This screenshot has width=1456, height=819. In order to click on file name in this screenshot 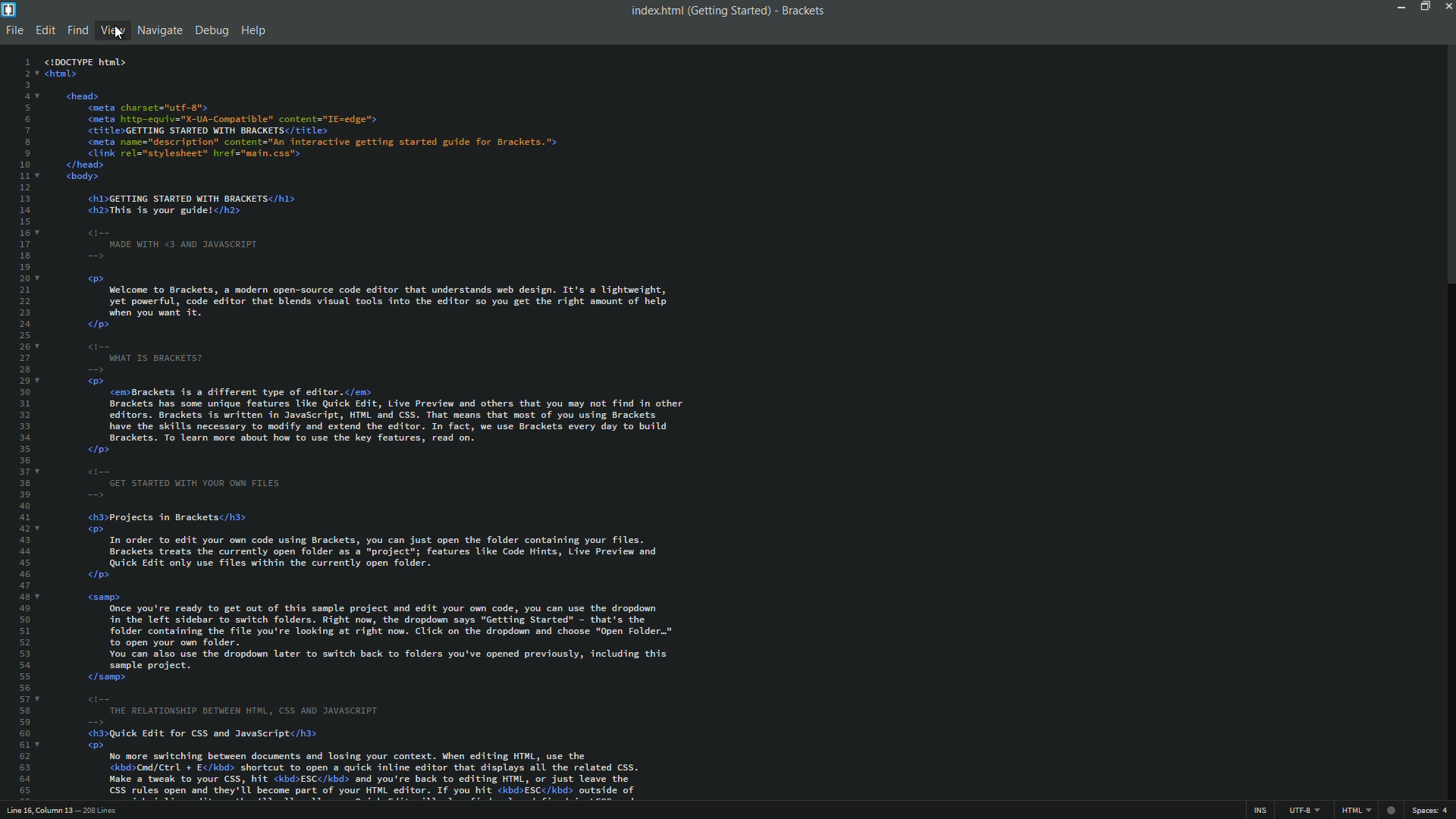, I will do `click(654, 11)`.